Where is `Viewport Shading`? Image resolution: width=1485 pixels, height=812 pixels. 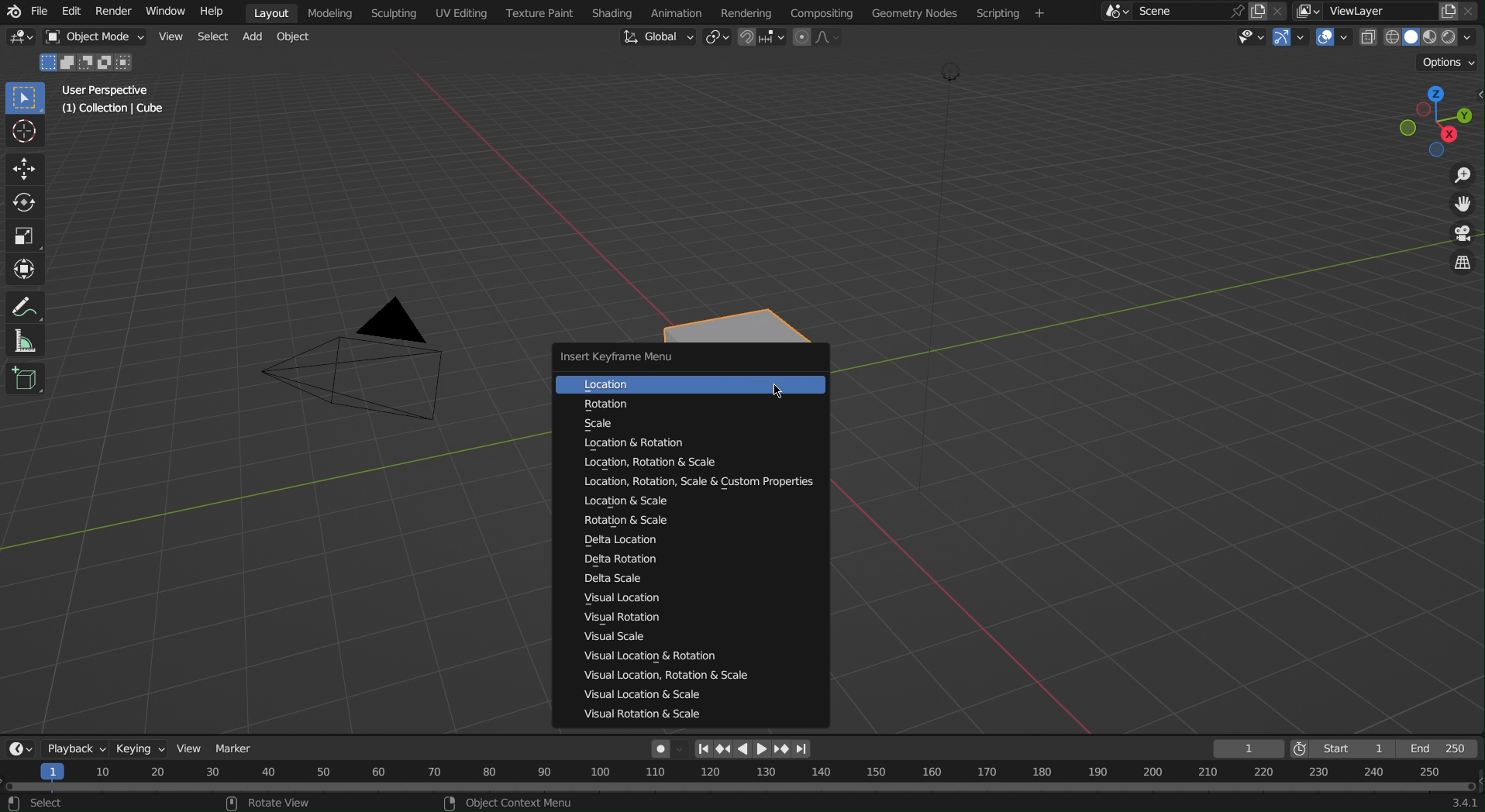
Viewport Shading is located at coordinates (1428, 36).